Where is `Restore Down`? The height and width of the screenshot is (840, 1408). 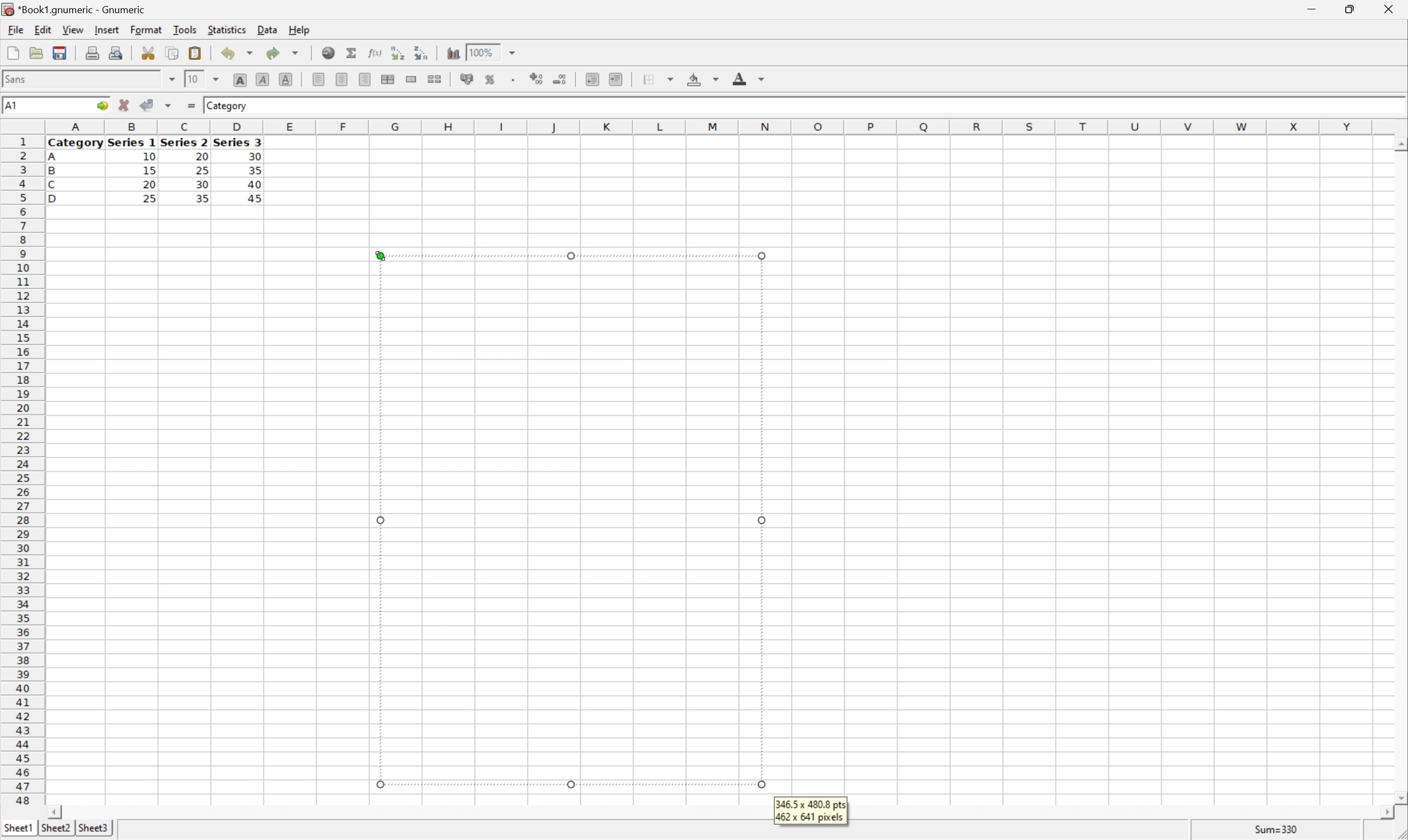 Restore Down is located at coordinates (1344, 9).